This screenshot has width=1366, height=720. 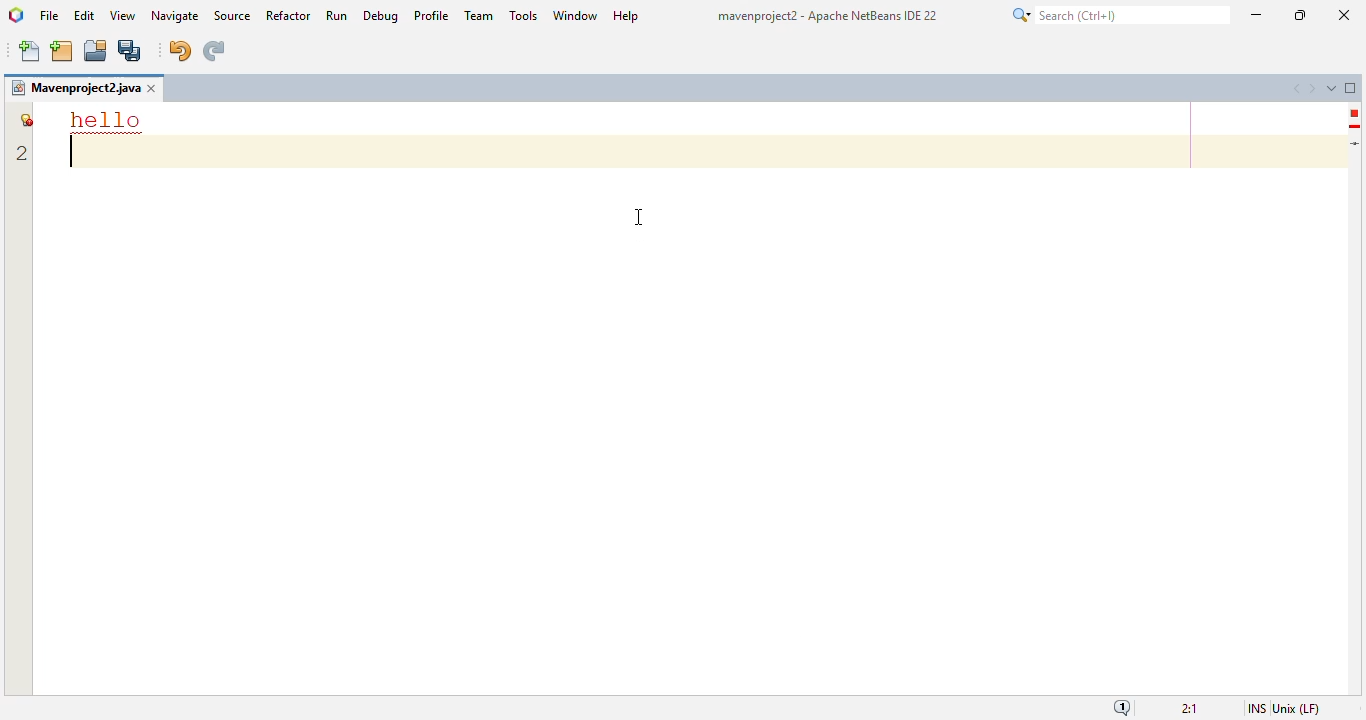 I want to click on navigate, so click(x=176, y=16).